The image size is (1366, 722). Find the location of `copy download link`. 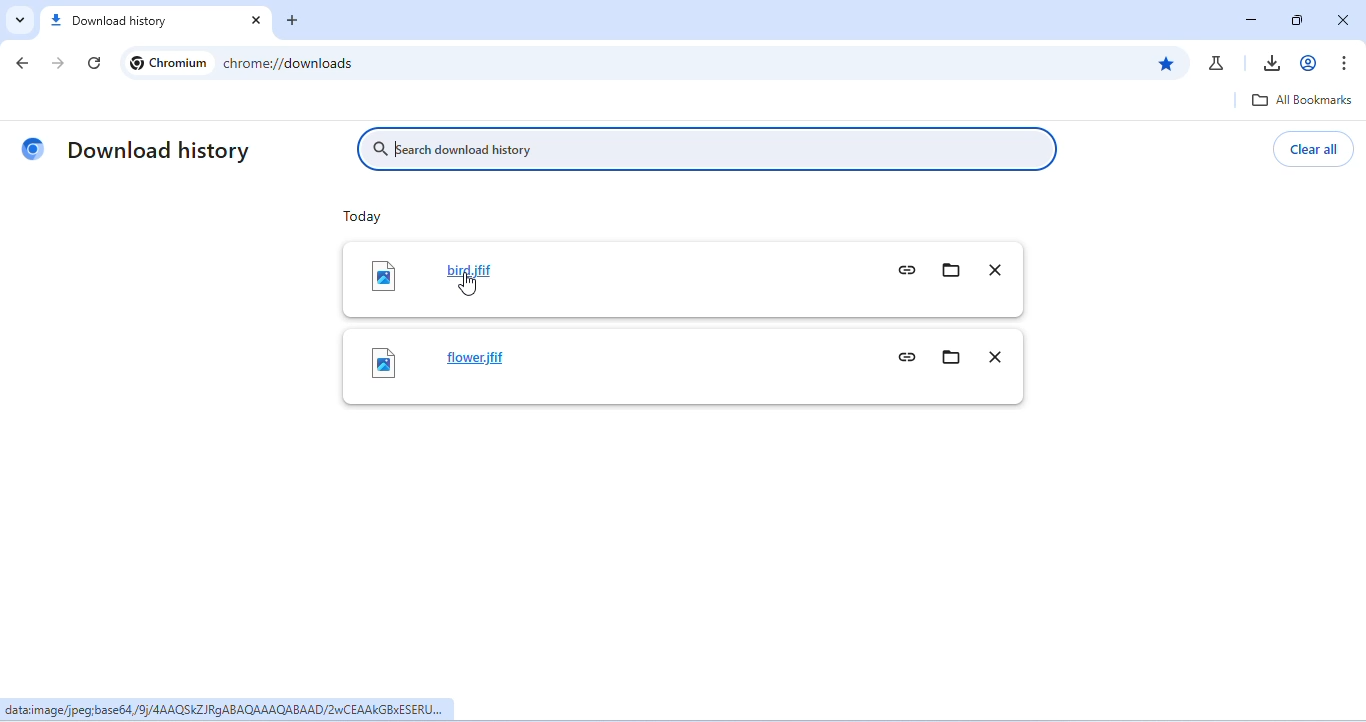

copy download link is located at coordinates (908, 354).